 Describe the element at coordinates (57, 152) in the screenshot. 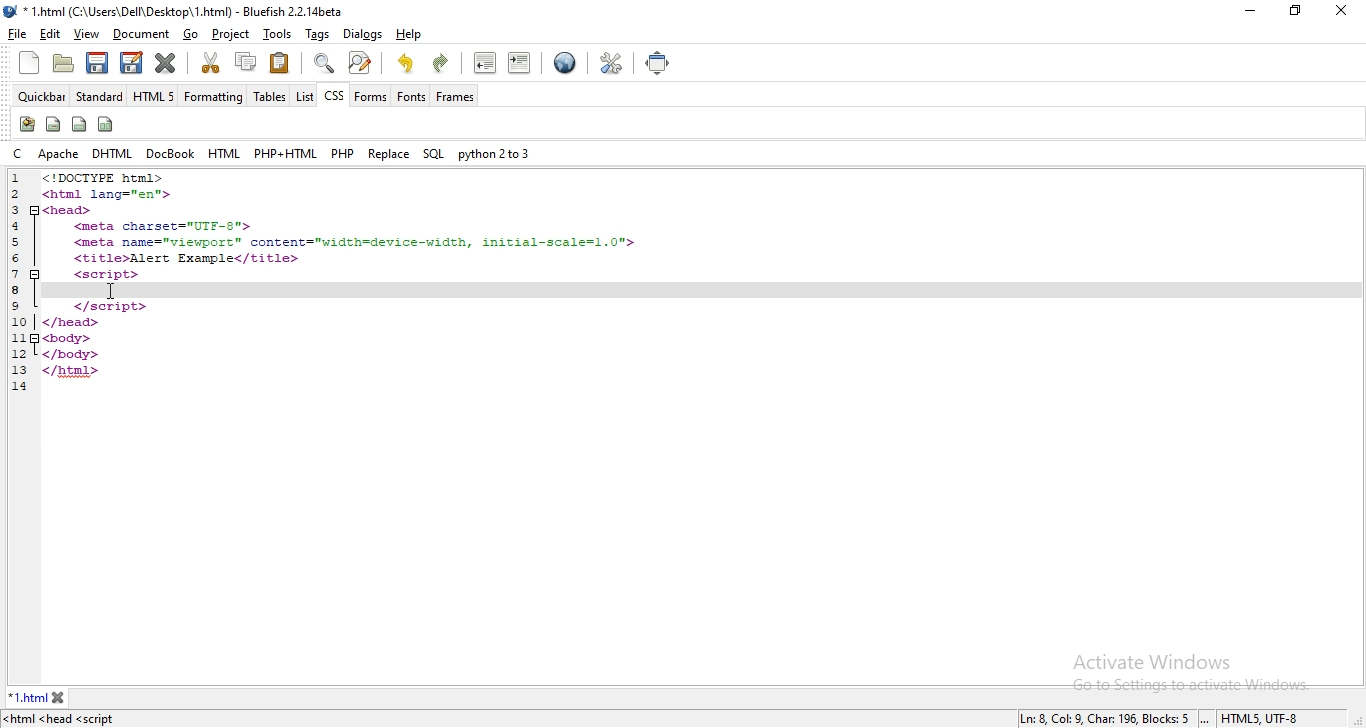

I see `apache` at that location.